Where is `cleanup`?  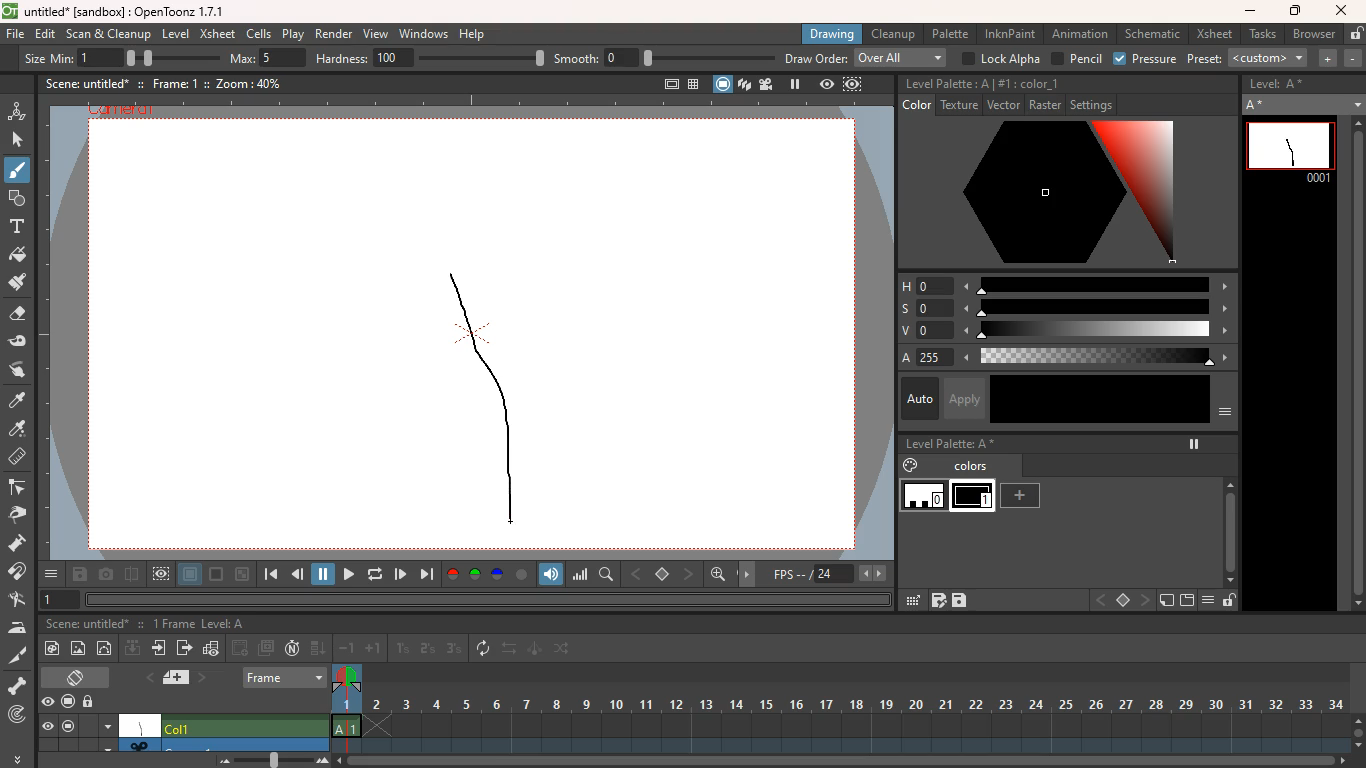 cleanup is located at coordinates (892, 34).